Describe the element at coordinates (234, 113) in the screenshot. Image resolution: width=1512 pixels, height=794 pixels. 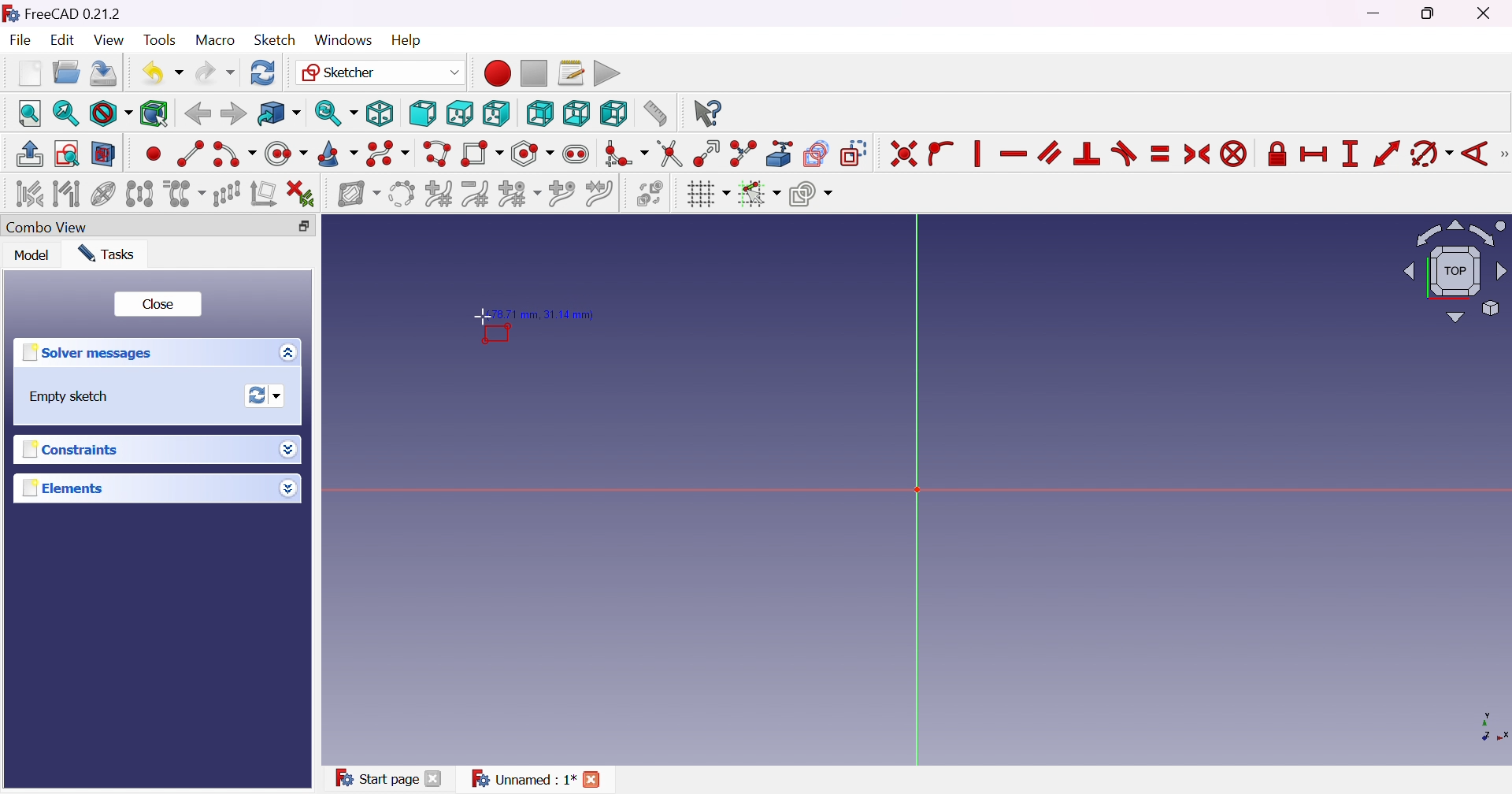
I see `Forward` at that location.